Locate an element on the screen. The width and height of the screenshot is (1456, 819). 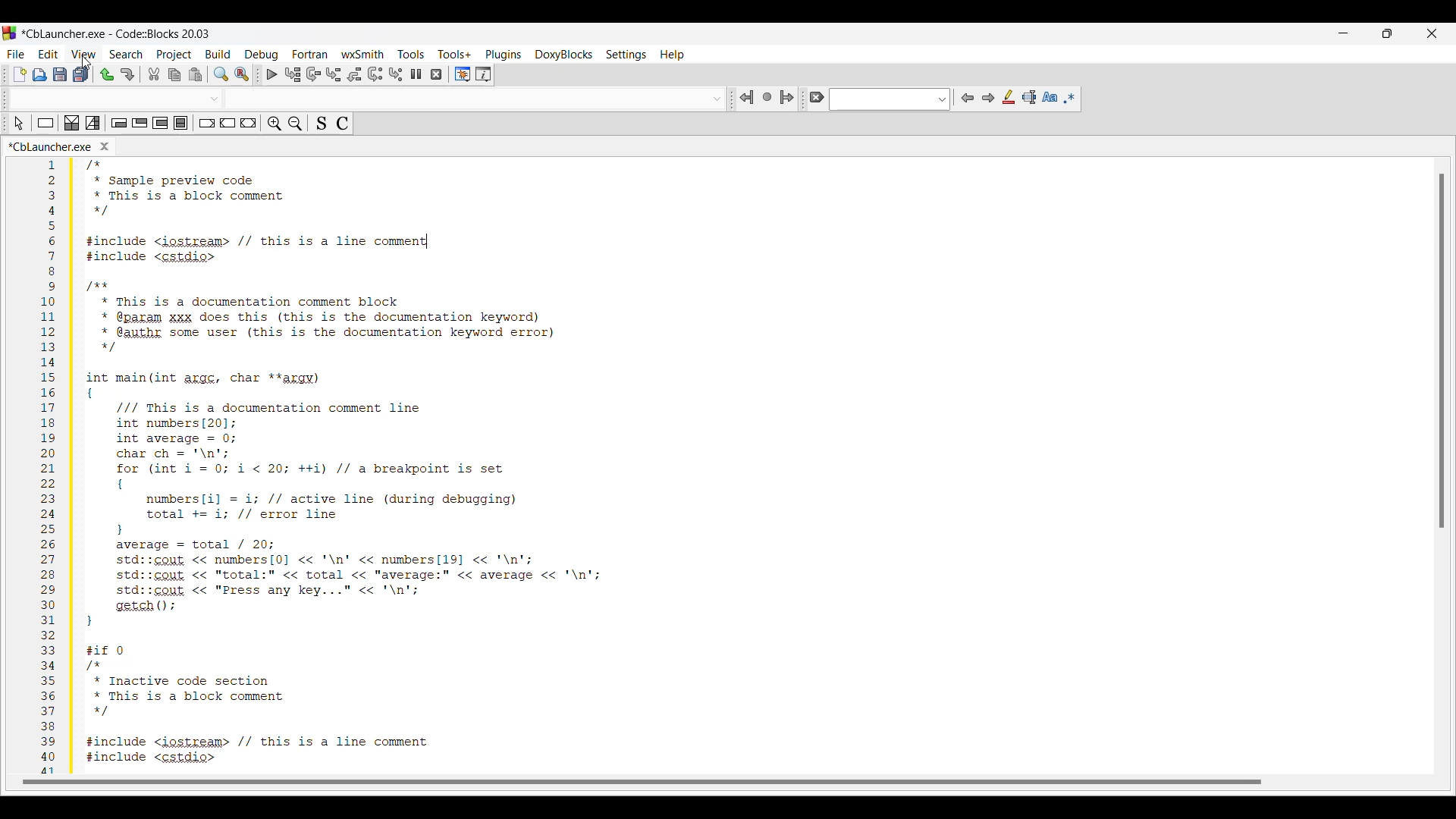
Clear is located at coordinates (816, 97).